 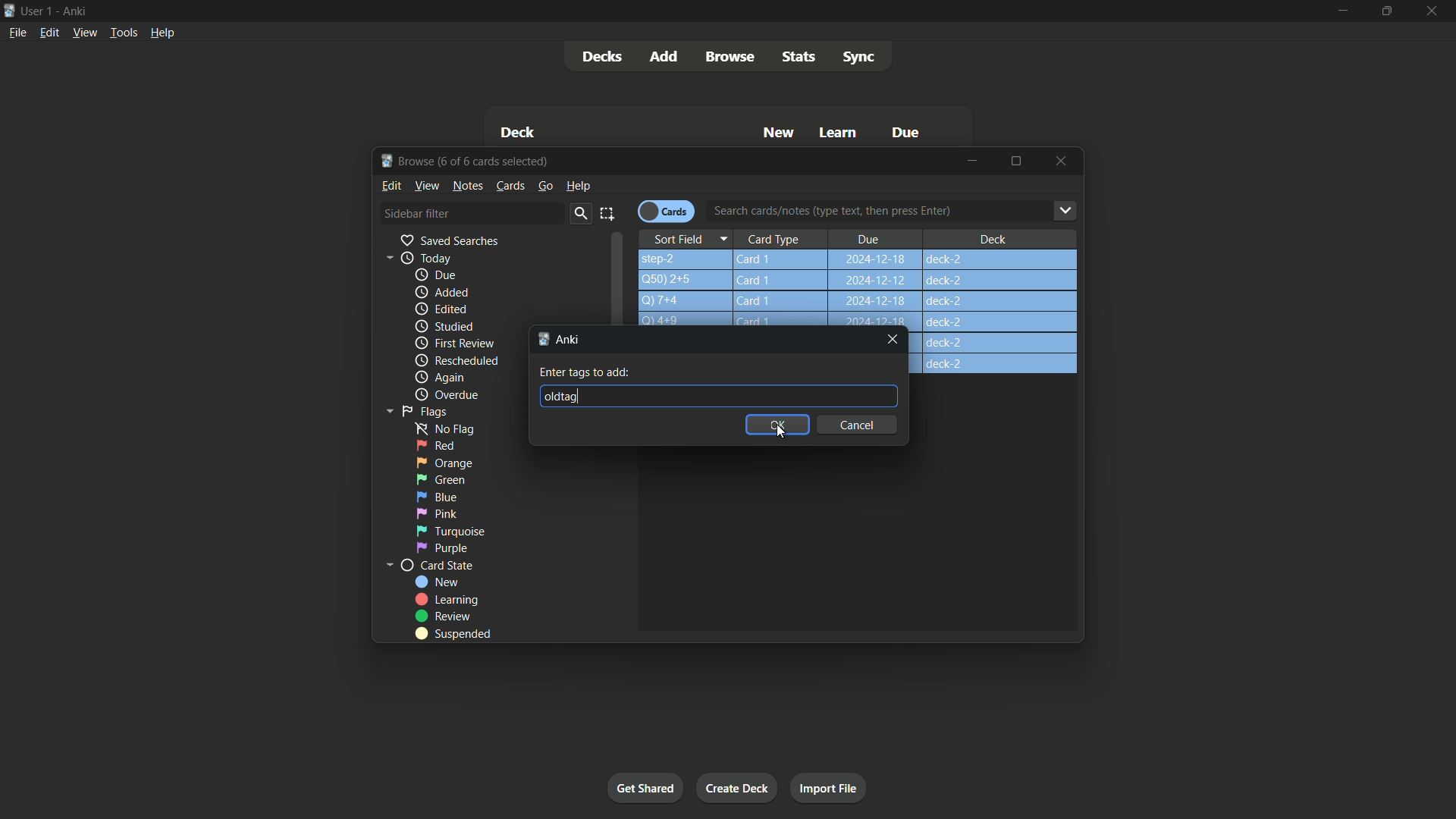 I want to click on Search cards/notes (type text, then press Enter), so click(x=898, y=212).